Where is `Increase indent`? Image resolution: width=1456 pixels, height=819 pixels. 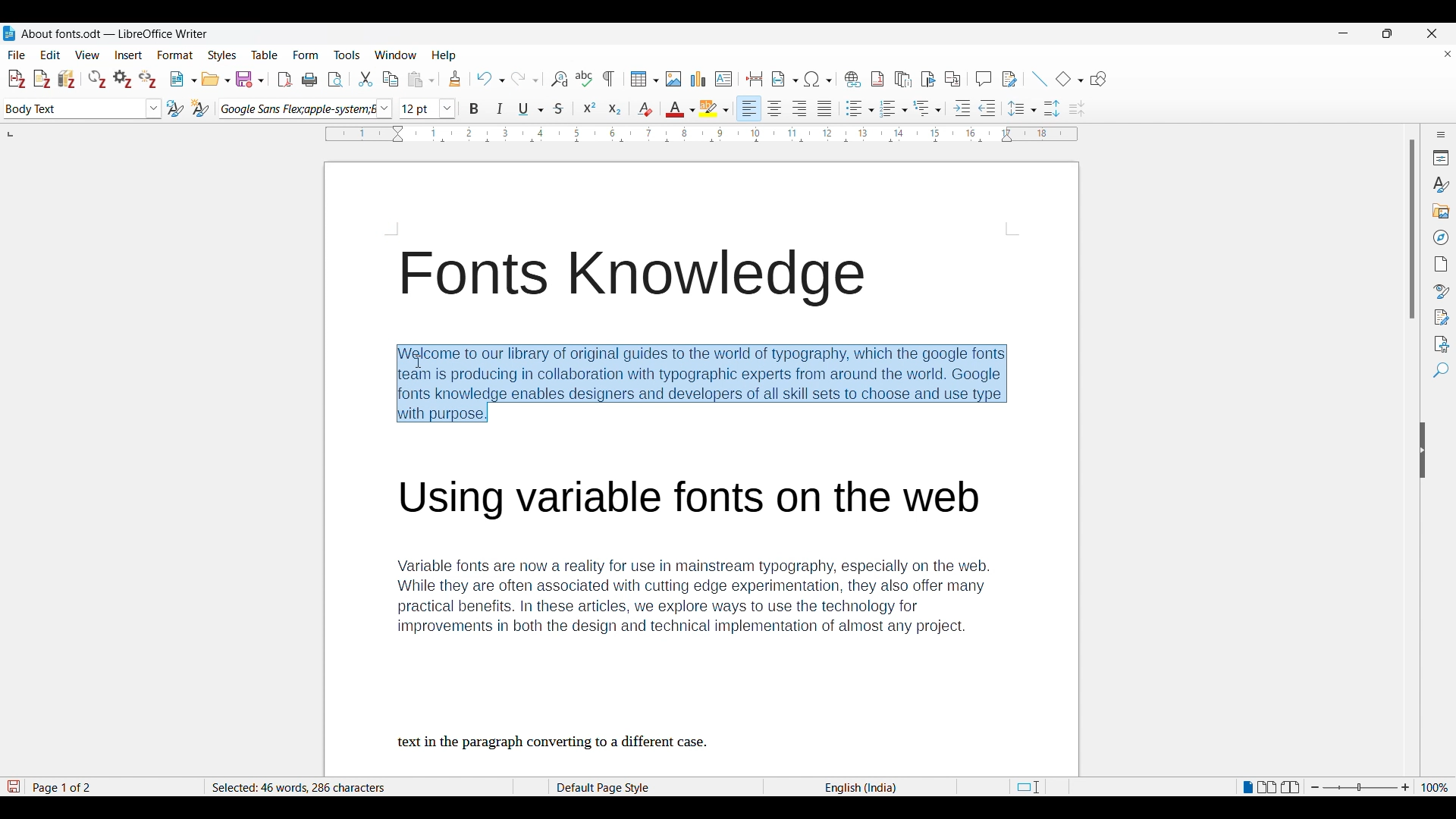
Increase indent is located at coordinates (962, 108).